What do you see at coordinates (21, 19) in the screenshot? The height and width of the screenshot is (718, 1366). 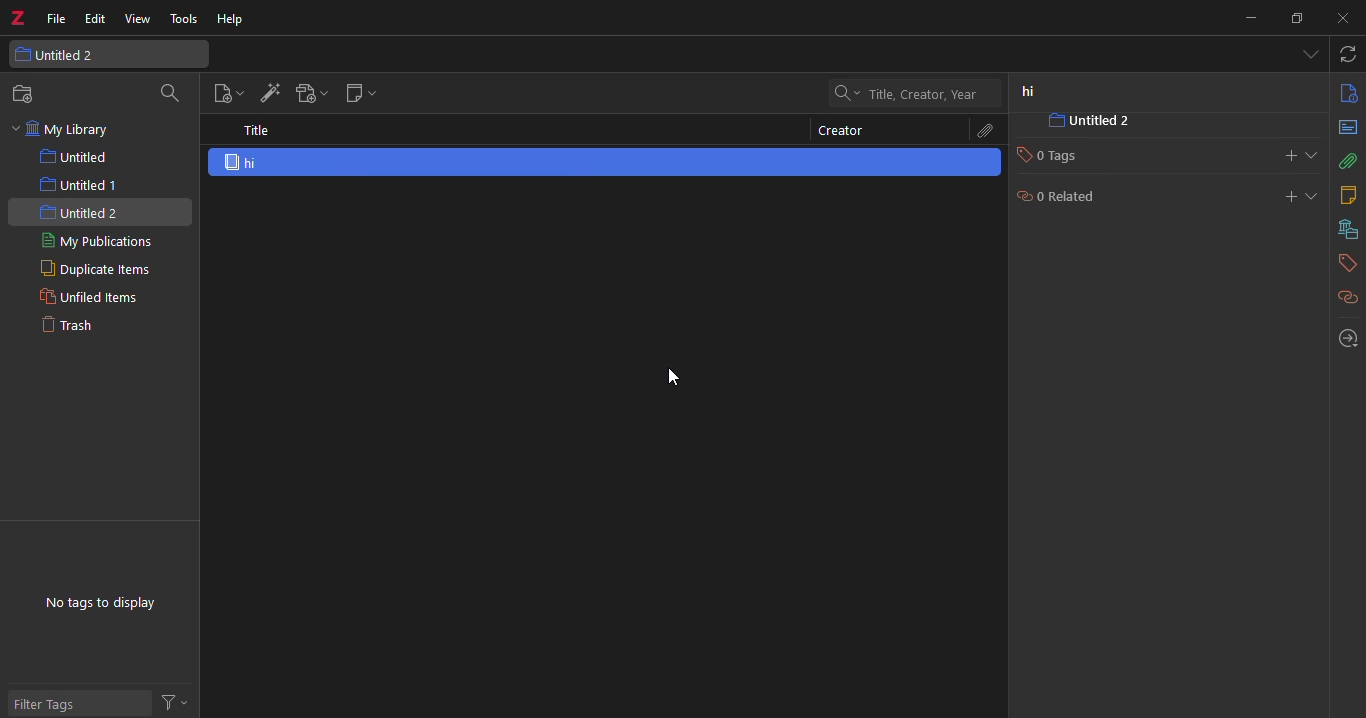 I see `z` at bounding box center [21, 19].